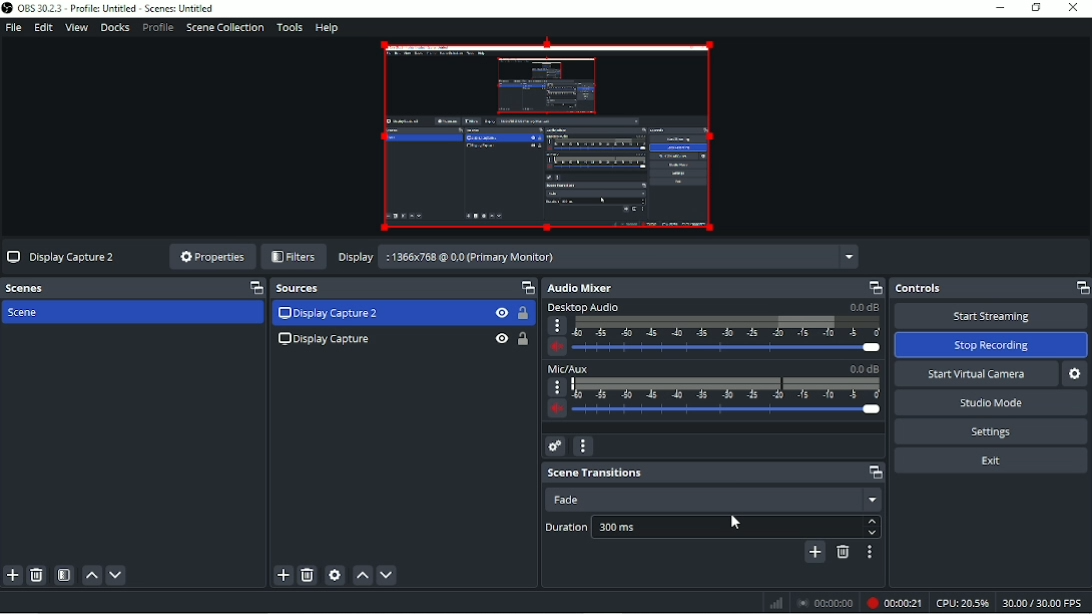  Describe the element at coordinates (544, 133) in the screenshot. I see `Display capture 2 (display captured)` at that location.